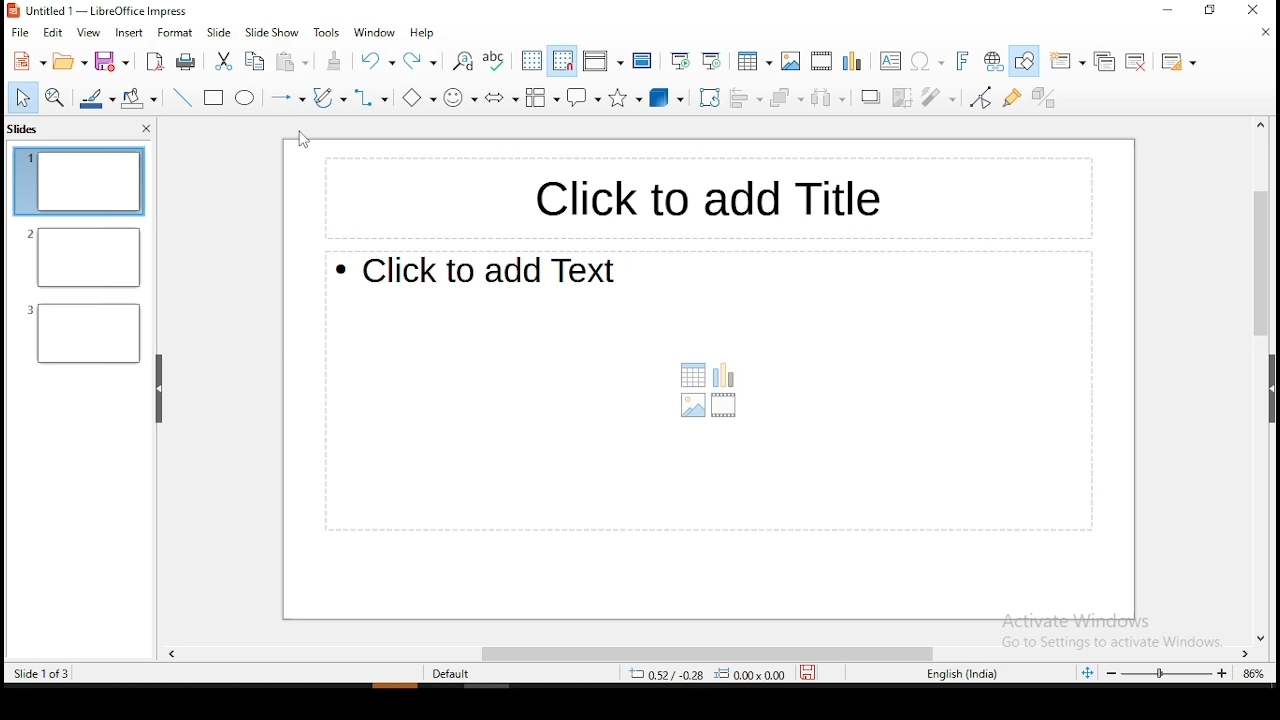 This screenshot has width=1280, height=720. What do you see at coordinates (746, 100) in the screenshot?
I see `align objects` at bounding box center [746, 100].